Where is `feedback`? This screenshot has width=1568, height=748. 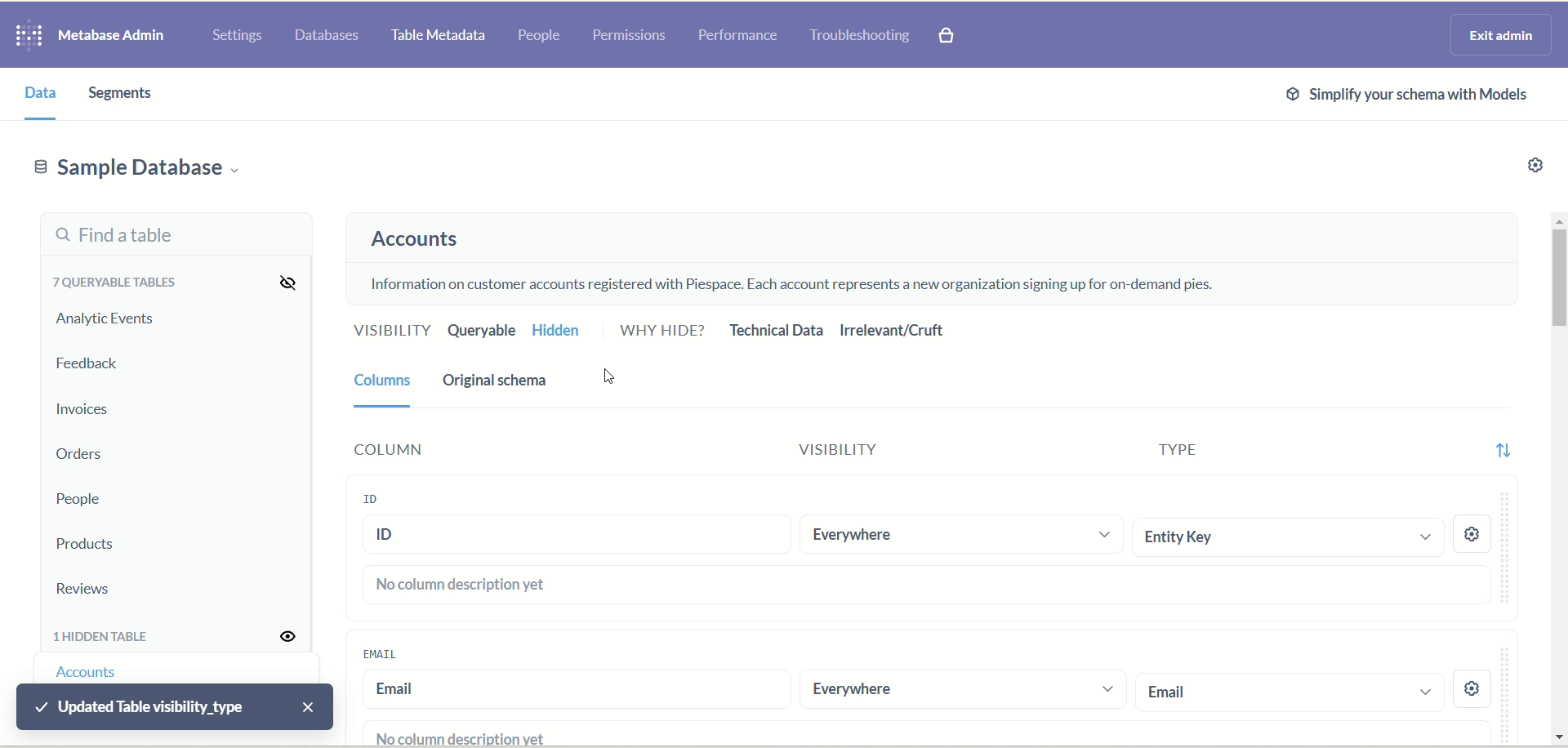 feedback is located at coordinates (96, 363).